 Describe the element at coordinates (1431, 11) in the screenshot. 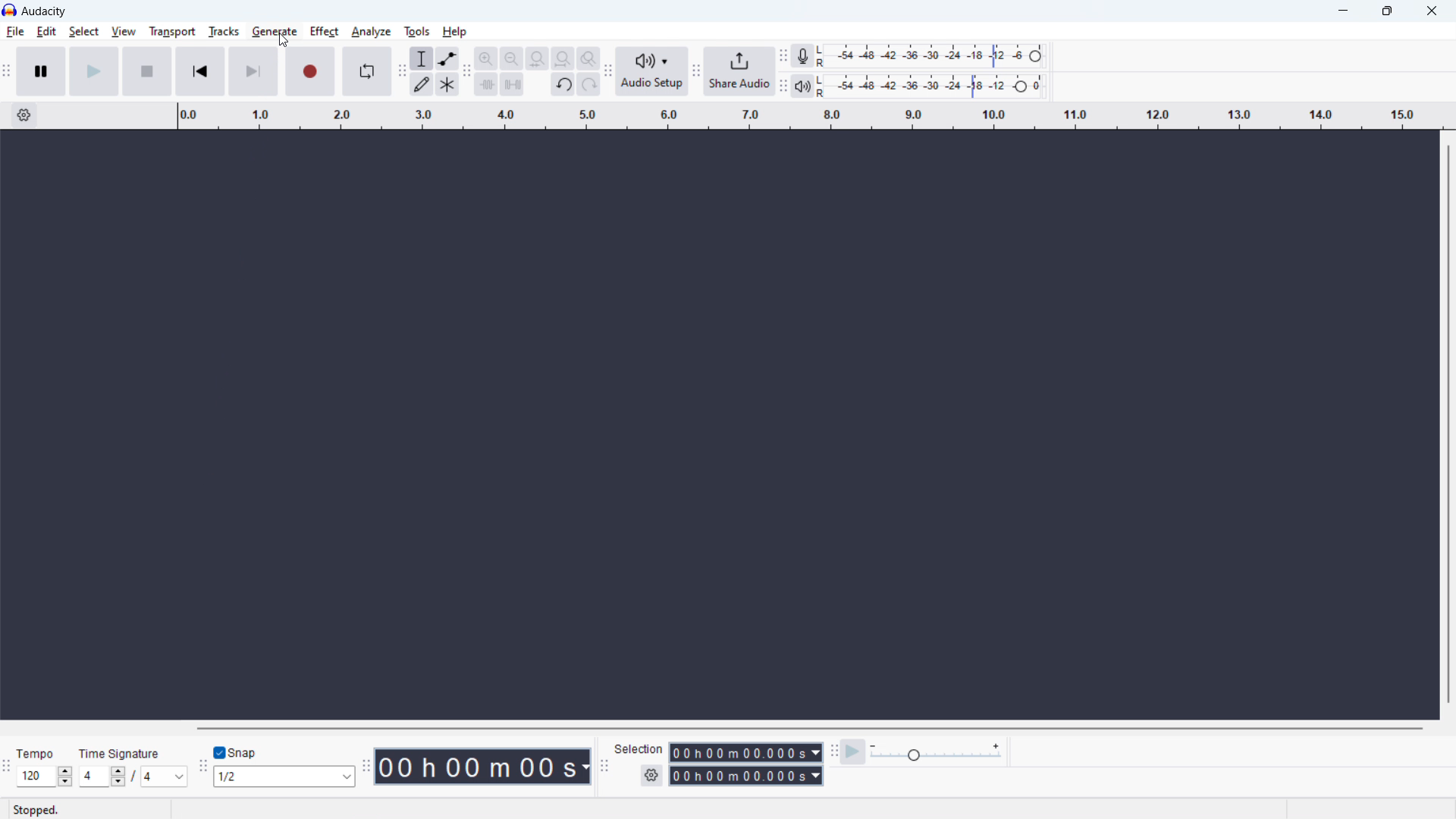

I see `close` at that location.